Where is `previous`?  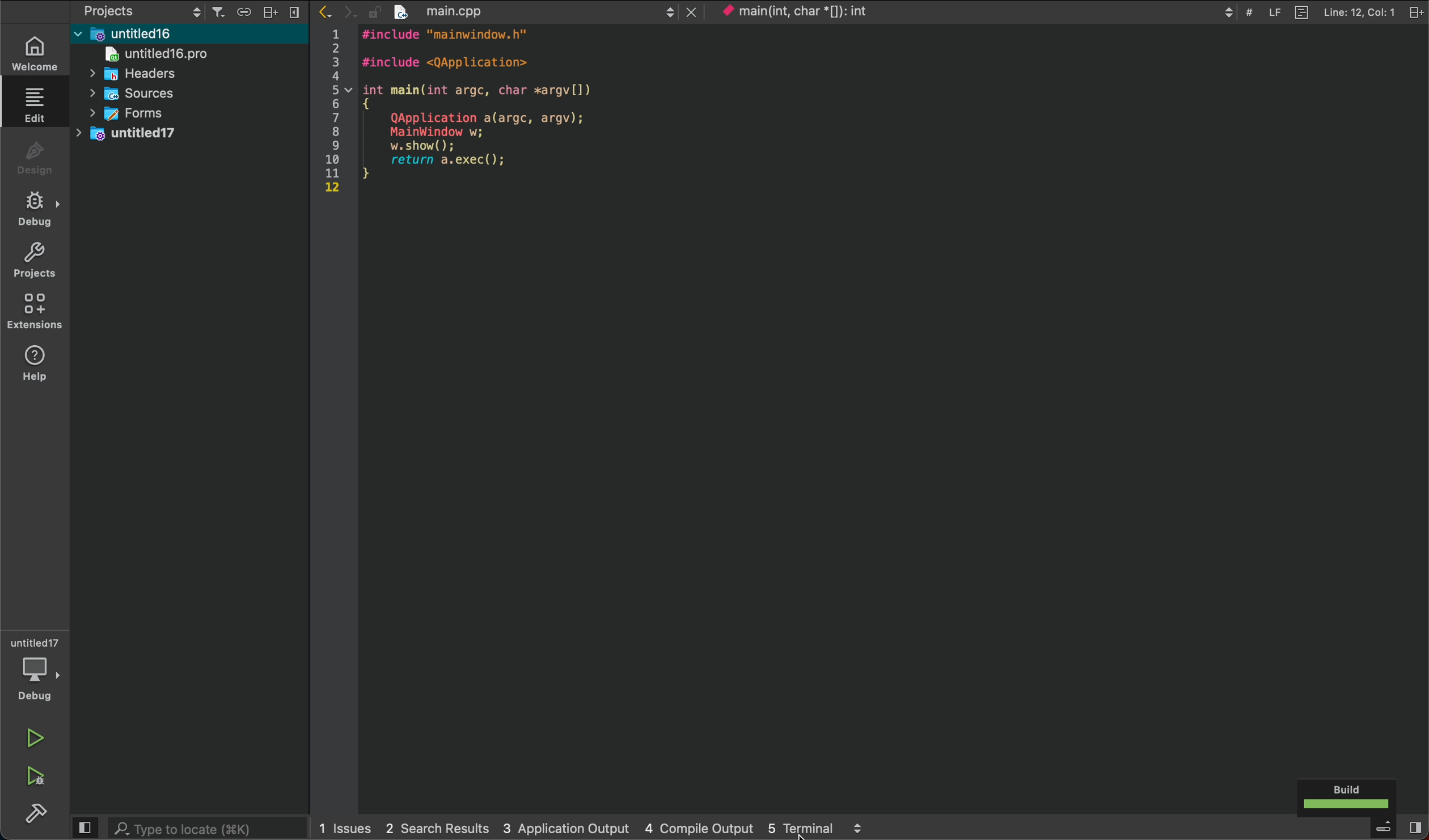
previous is located at coordinates (327, 12).